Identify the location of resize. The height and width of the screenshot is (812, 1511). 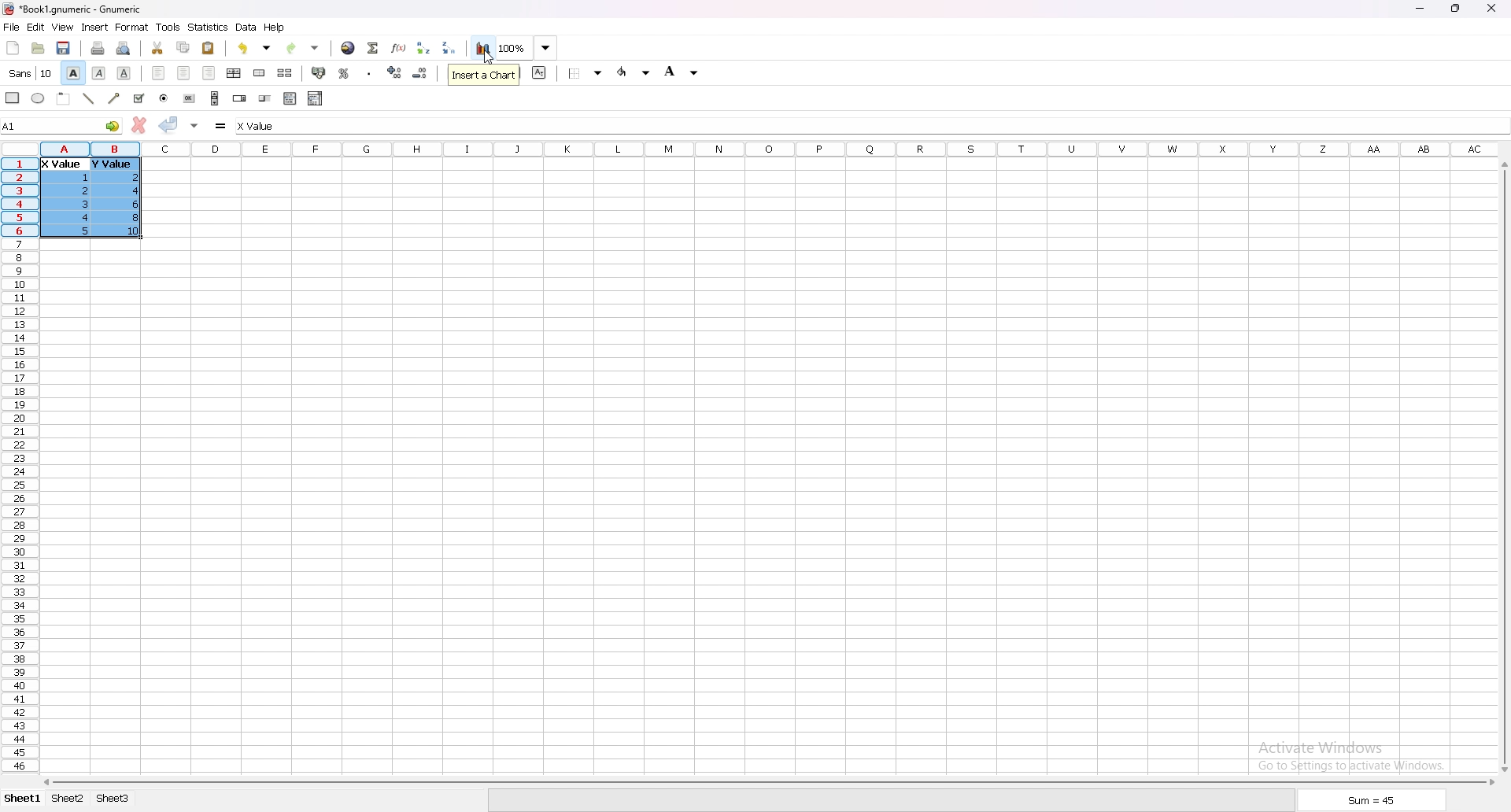
(1457, 9).